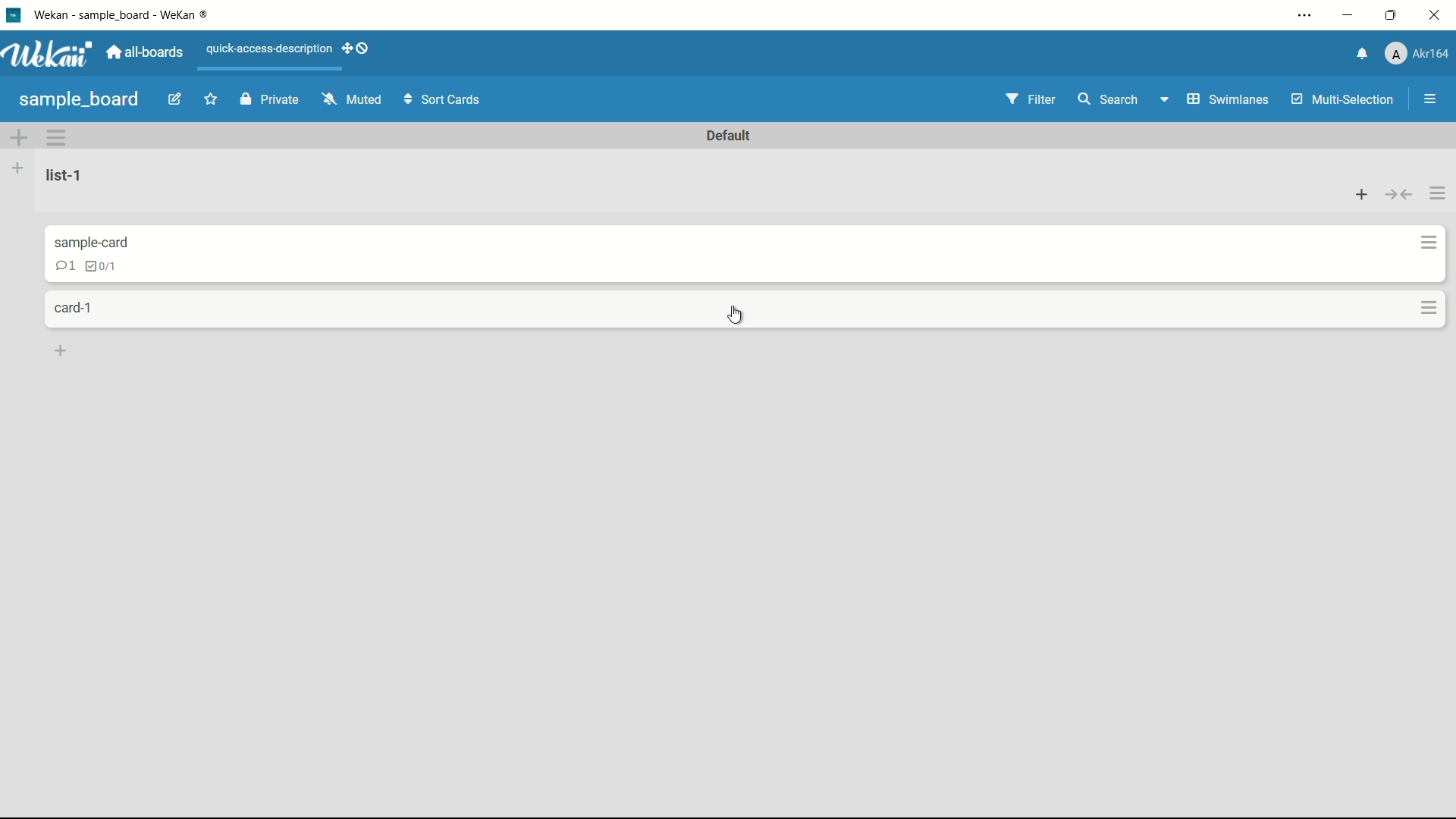 Image resolution: width=1456 pixels, height=819 pixels. Describe the element at coordinates (272, 99) in the screenshot. I see `private` at that location.